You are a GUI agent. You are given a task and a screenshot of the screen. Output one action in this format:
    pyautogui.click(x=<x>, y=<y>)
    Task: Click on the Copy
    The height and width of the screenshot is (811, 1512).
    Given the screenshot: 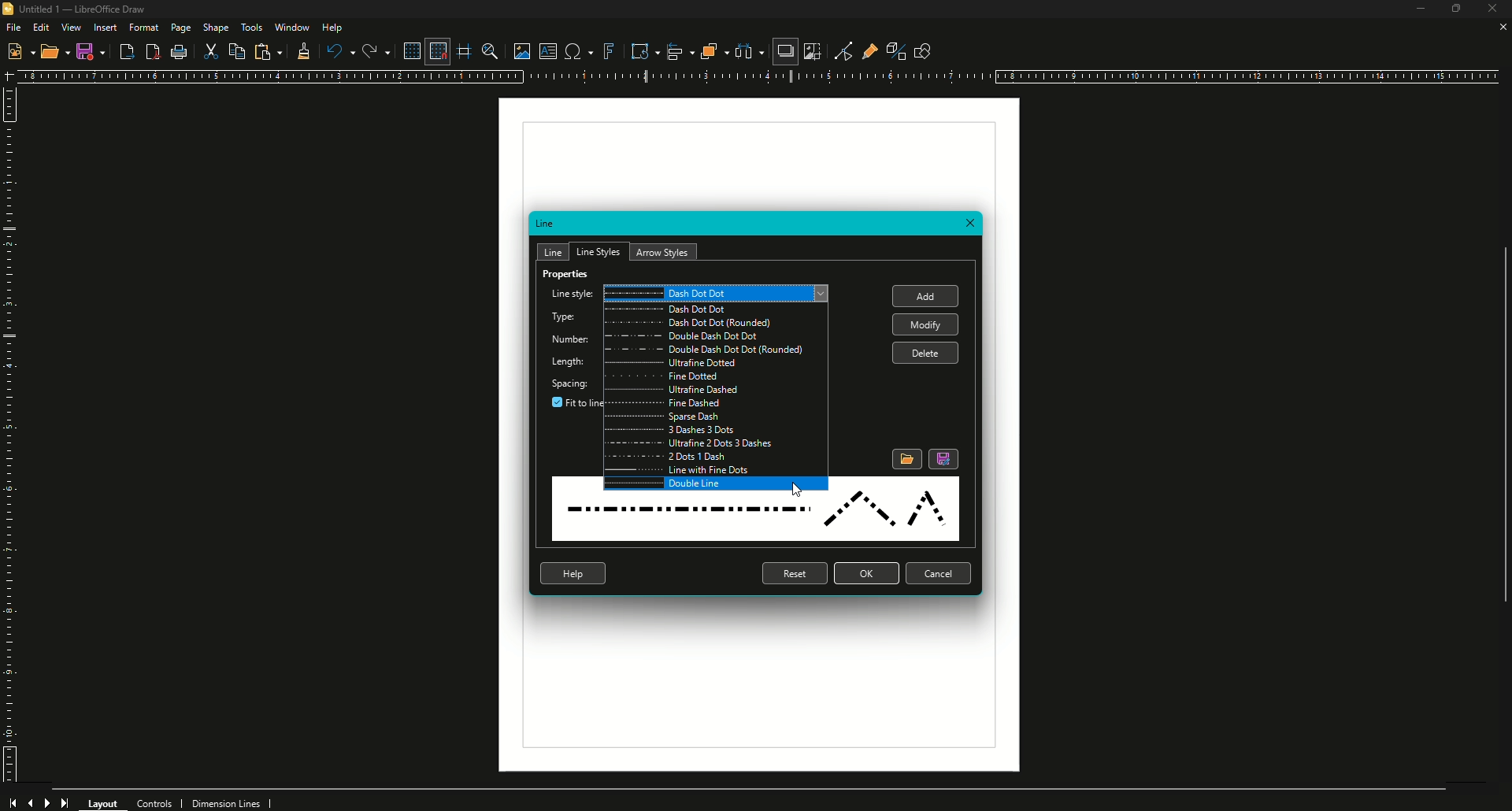 What is the action you would take?
    pyautogui.click(x=239, y=51)
    